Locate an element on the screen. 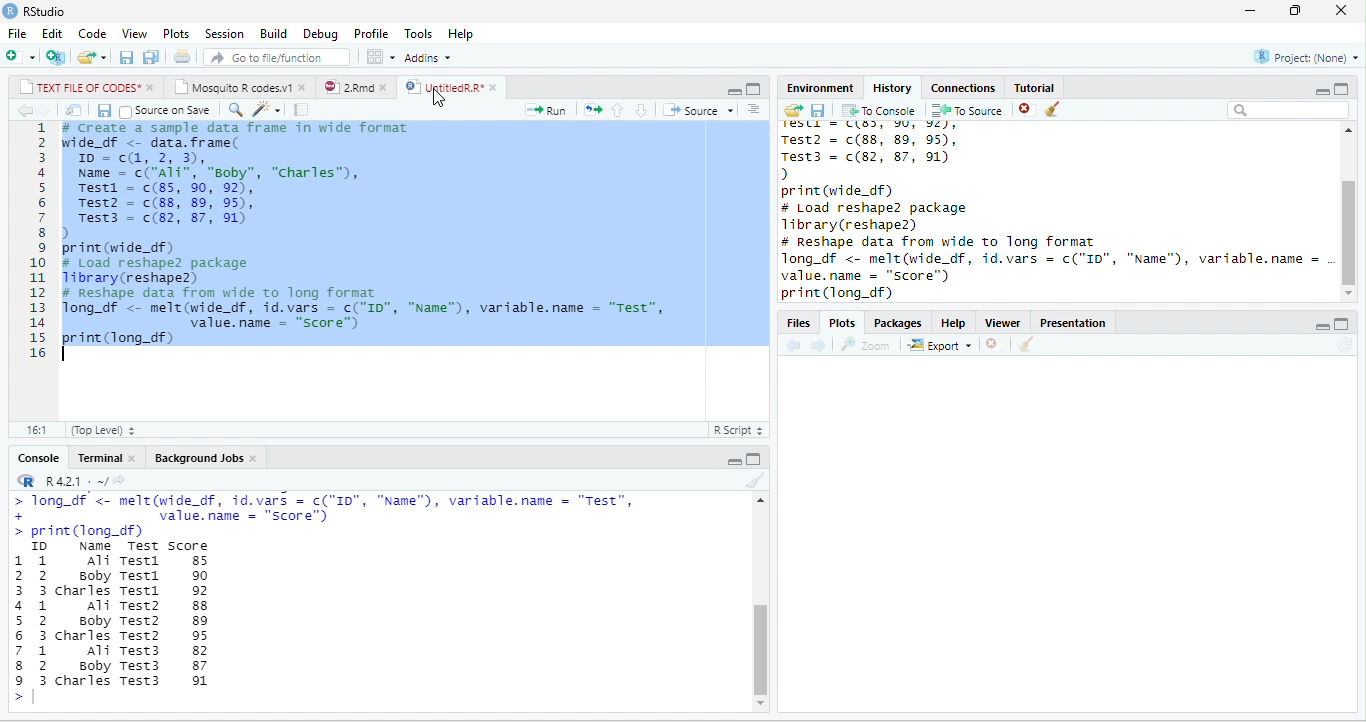  Tutorial is located at coordinates (1034, 87).